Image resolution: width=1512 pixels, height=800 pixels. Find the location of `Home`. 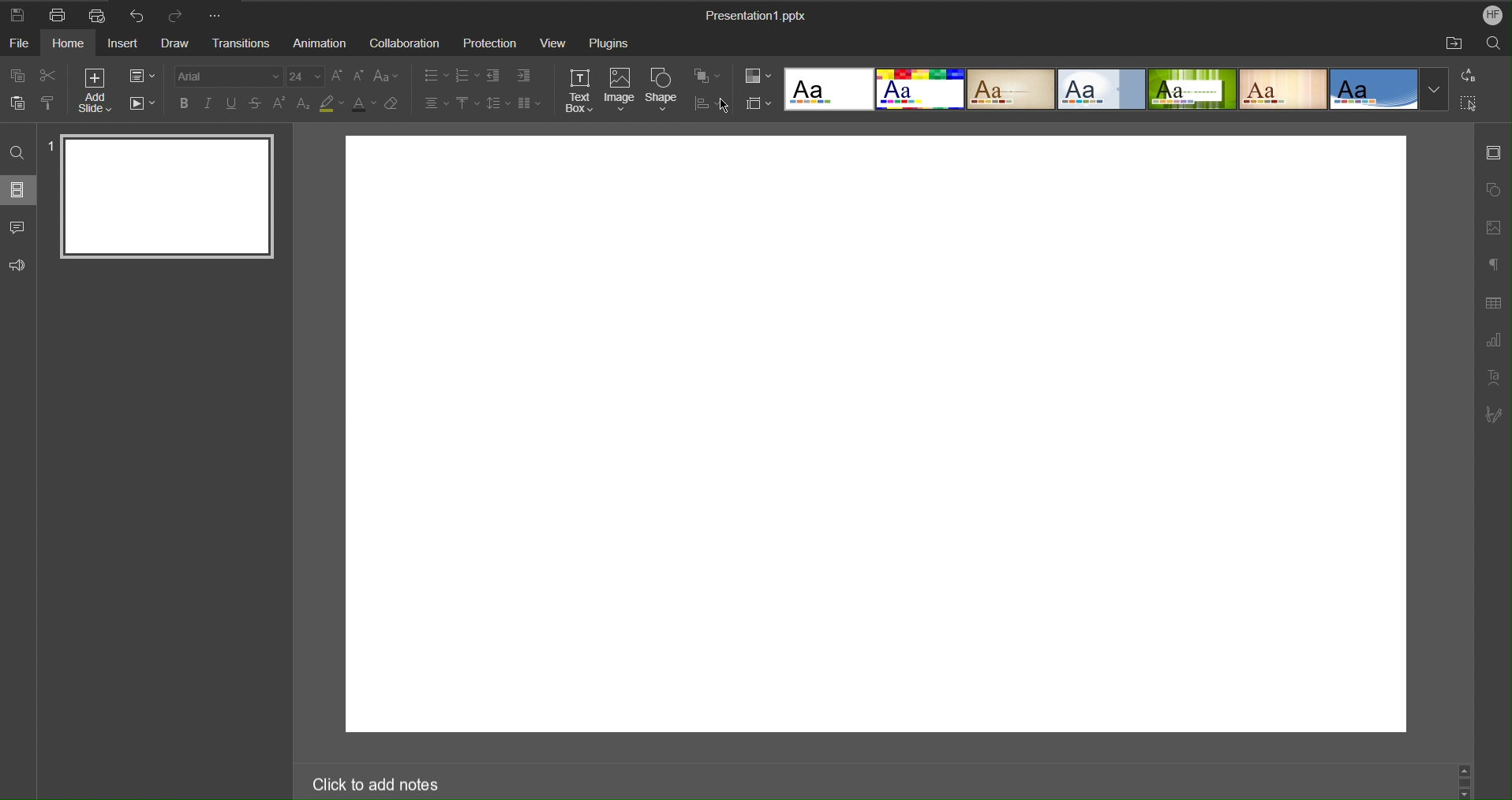

Home is located at coordinates (69, 43).